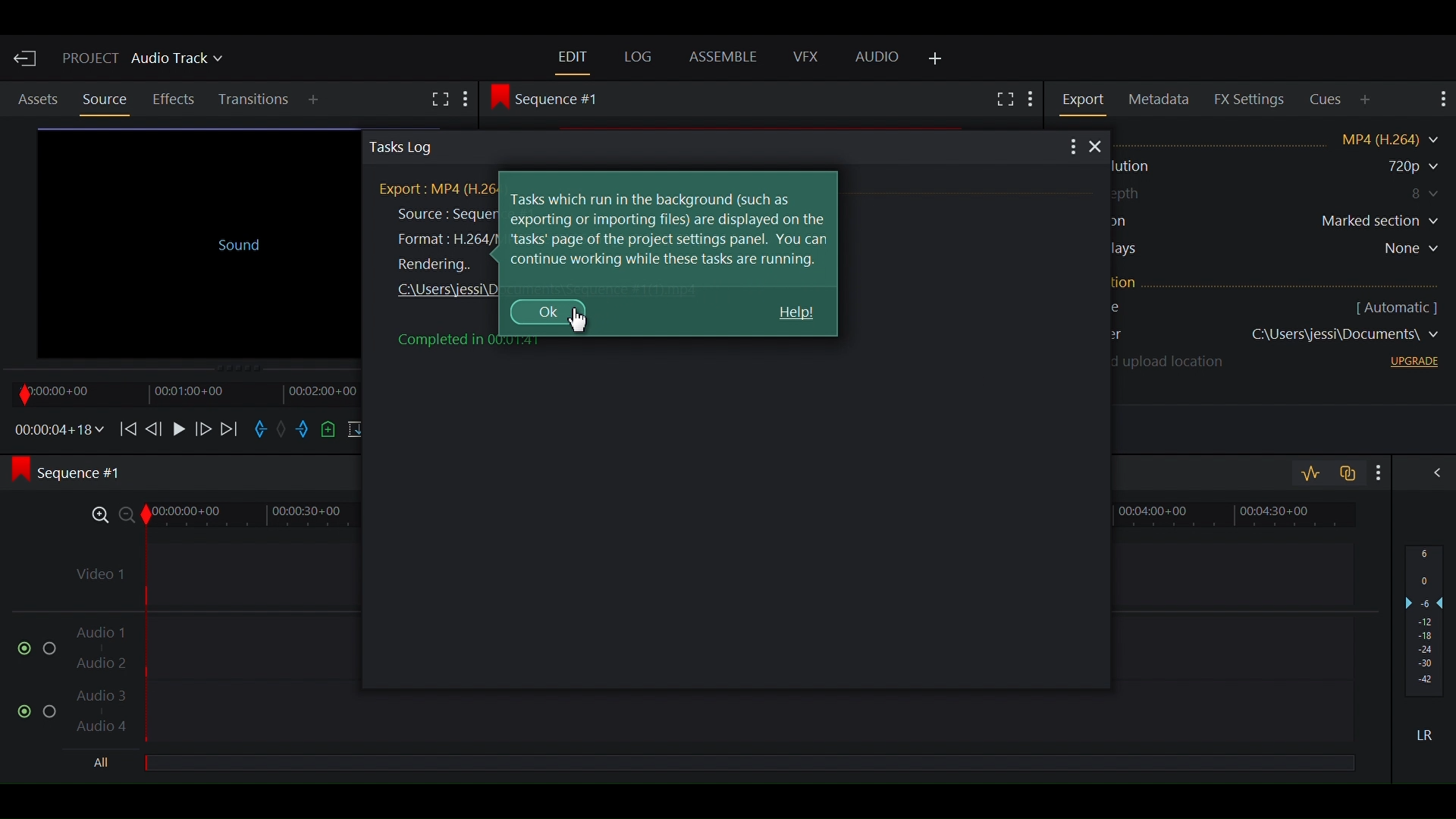  What do you see at coordinates (795, 314) in the screenshot?
I see `Help` at bounding box center [795, 314].